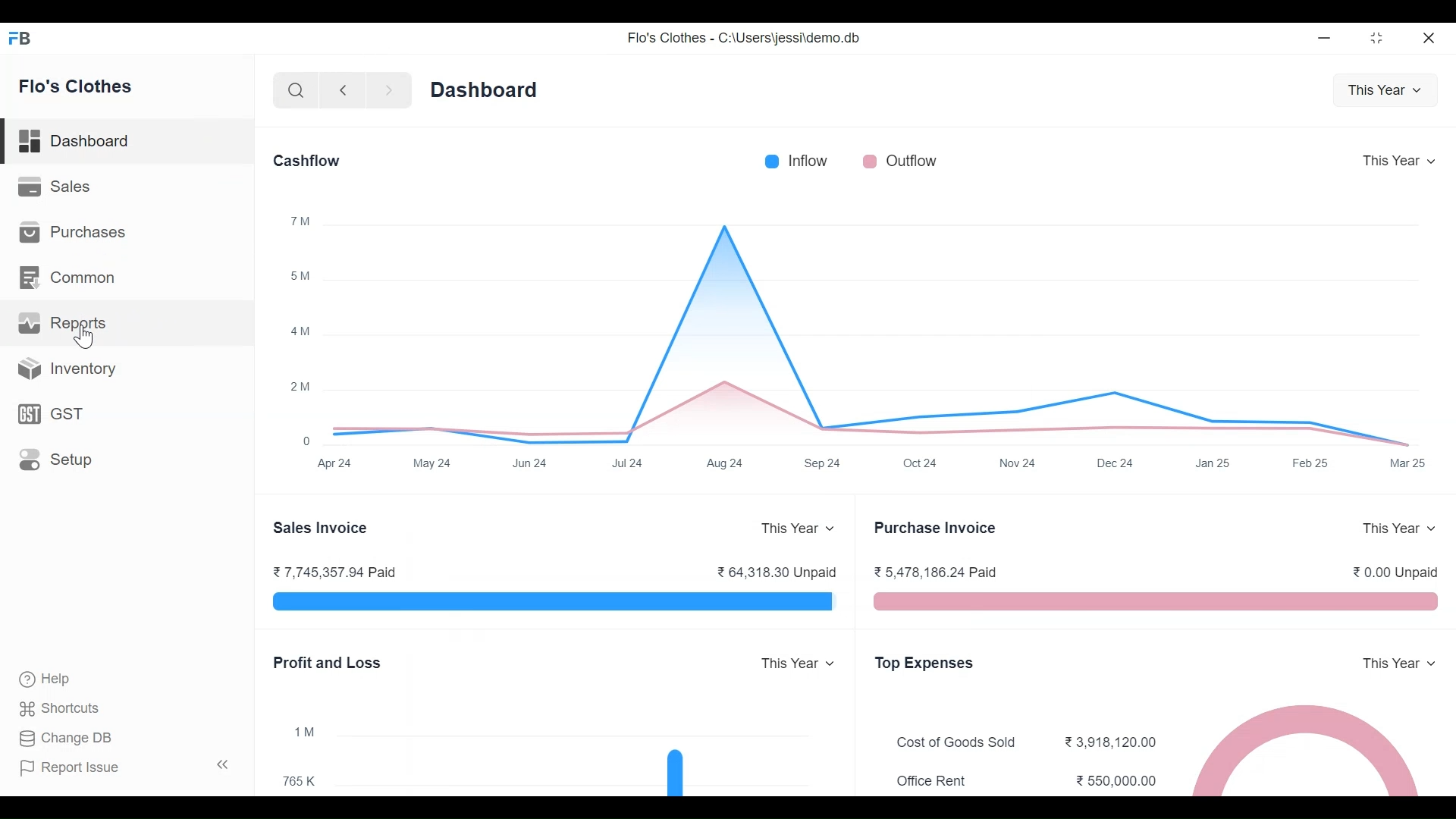 The width and height of the screenshot is (1456, 819). Describe the element at coordinates (1027, 743) in the screenshot. I see `Cost of Goods Sold 3,918,120.00` at that location.